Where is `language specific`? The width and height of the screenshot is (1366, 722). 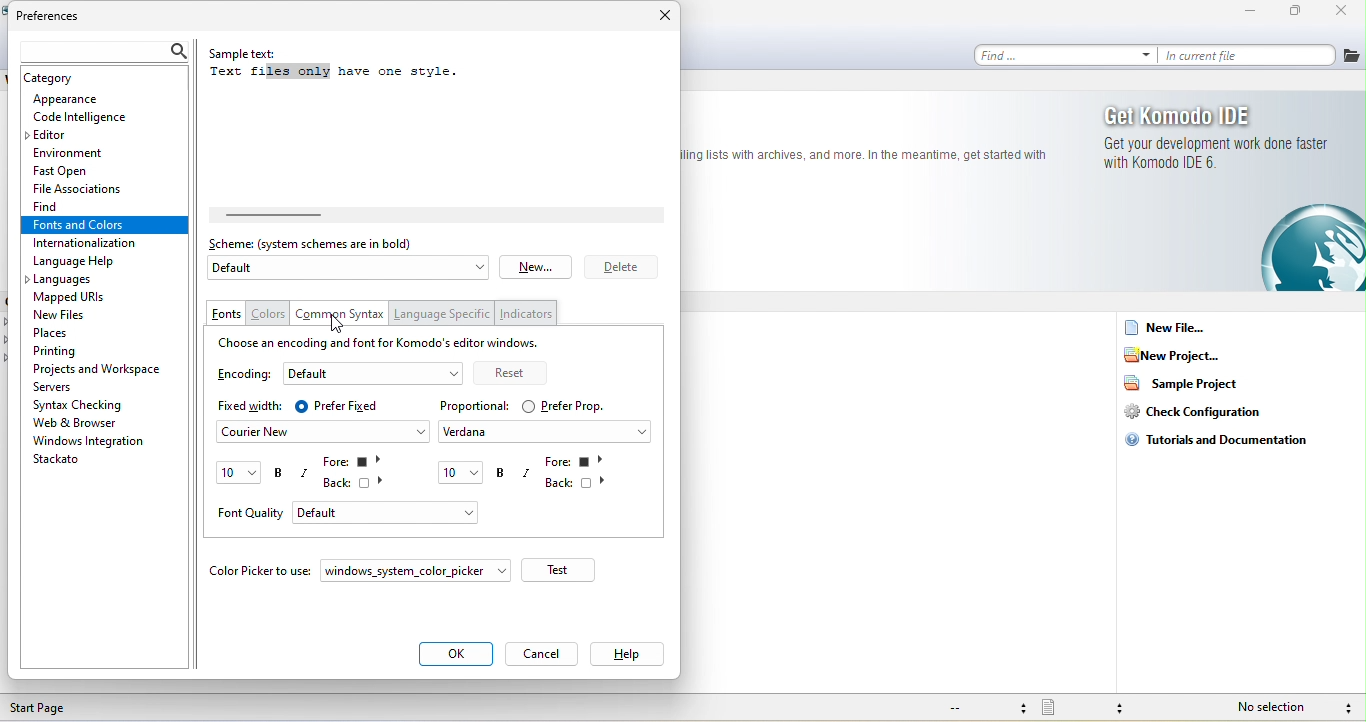
language specific is located at coordinates (442, 311).